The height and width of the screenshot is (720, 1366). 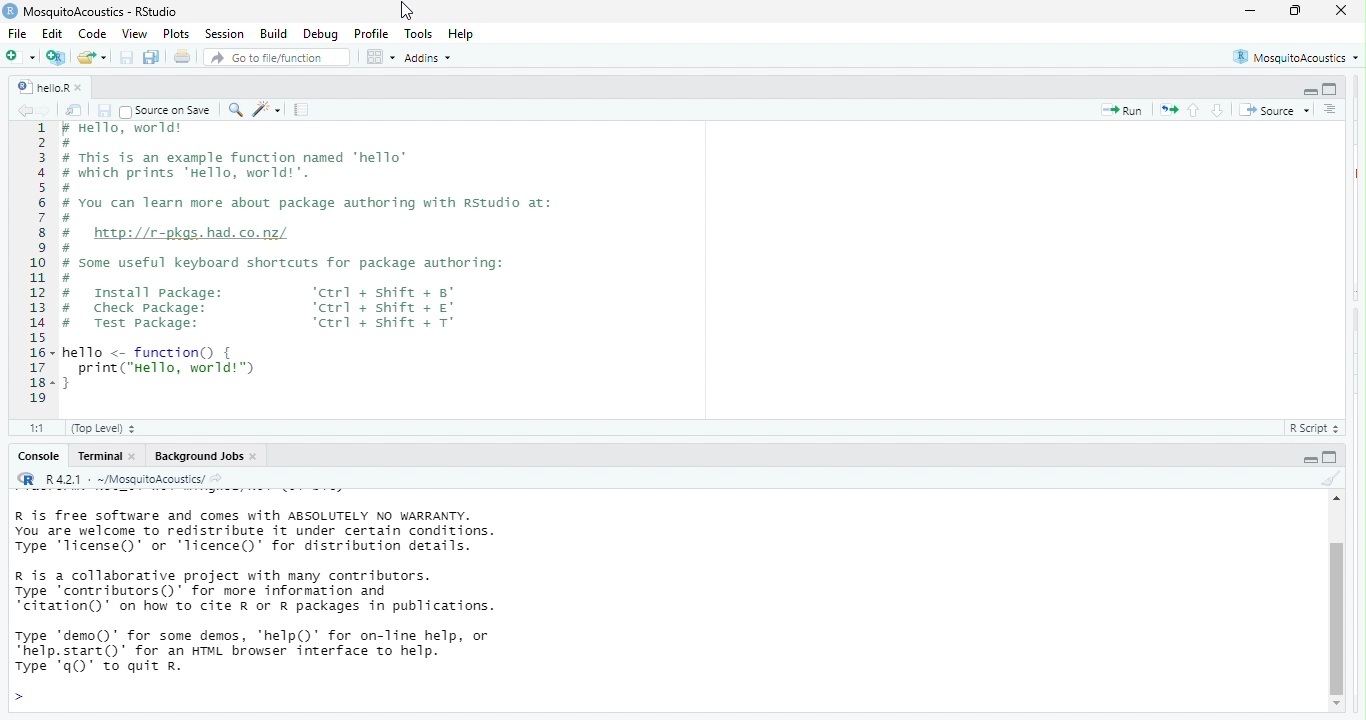 I want to click on 123456H910111213141s16171819, so click(x=37, y=269).